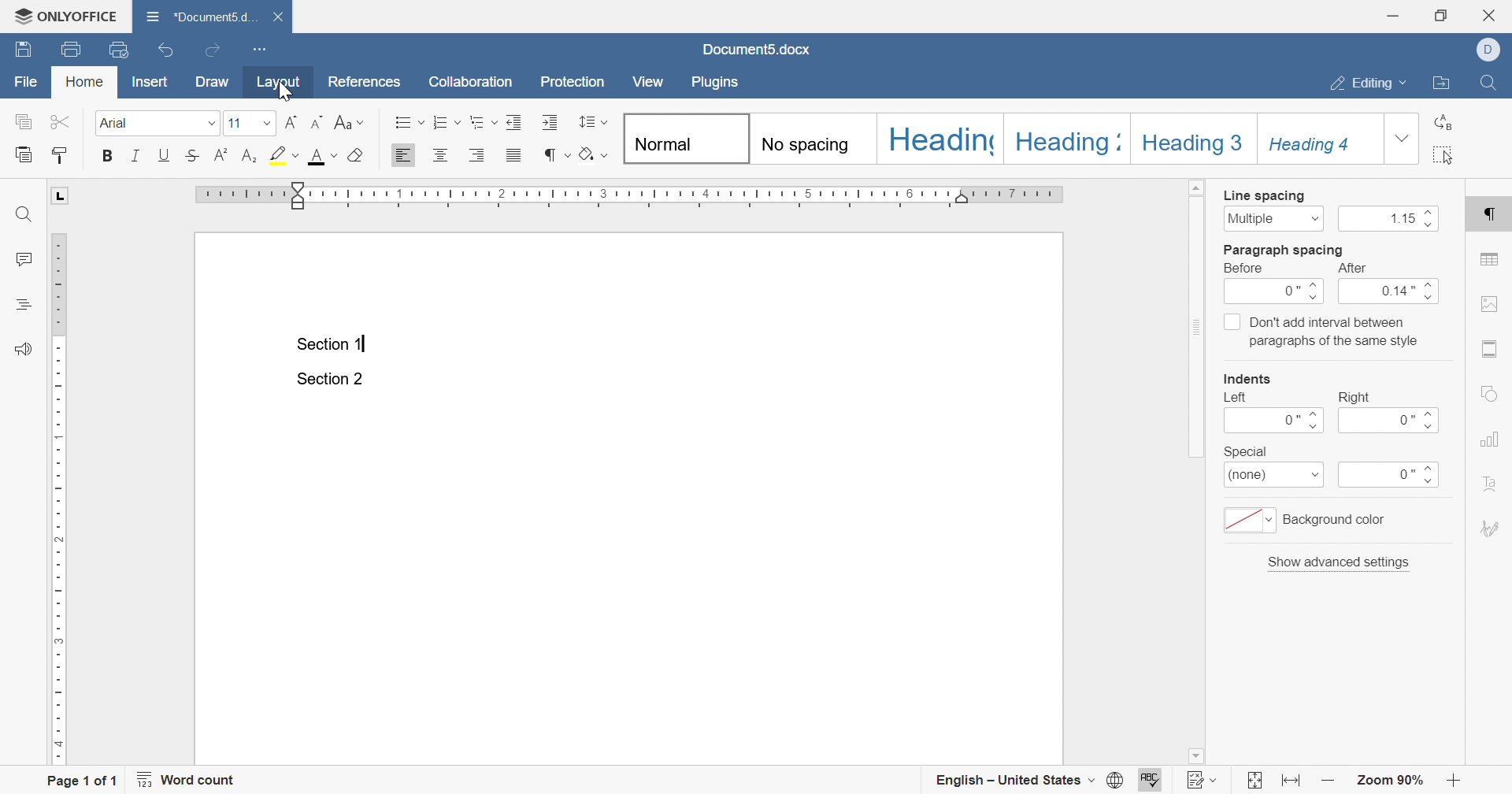  What do you see at coordinates (1441, 16) in the screenshot?
I see `restore down` at bounding box center [1441, 16].